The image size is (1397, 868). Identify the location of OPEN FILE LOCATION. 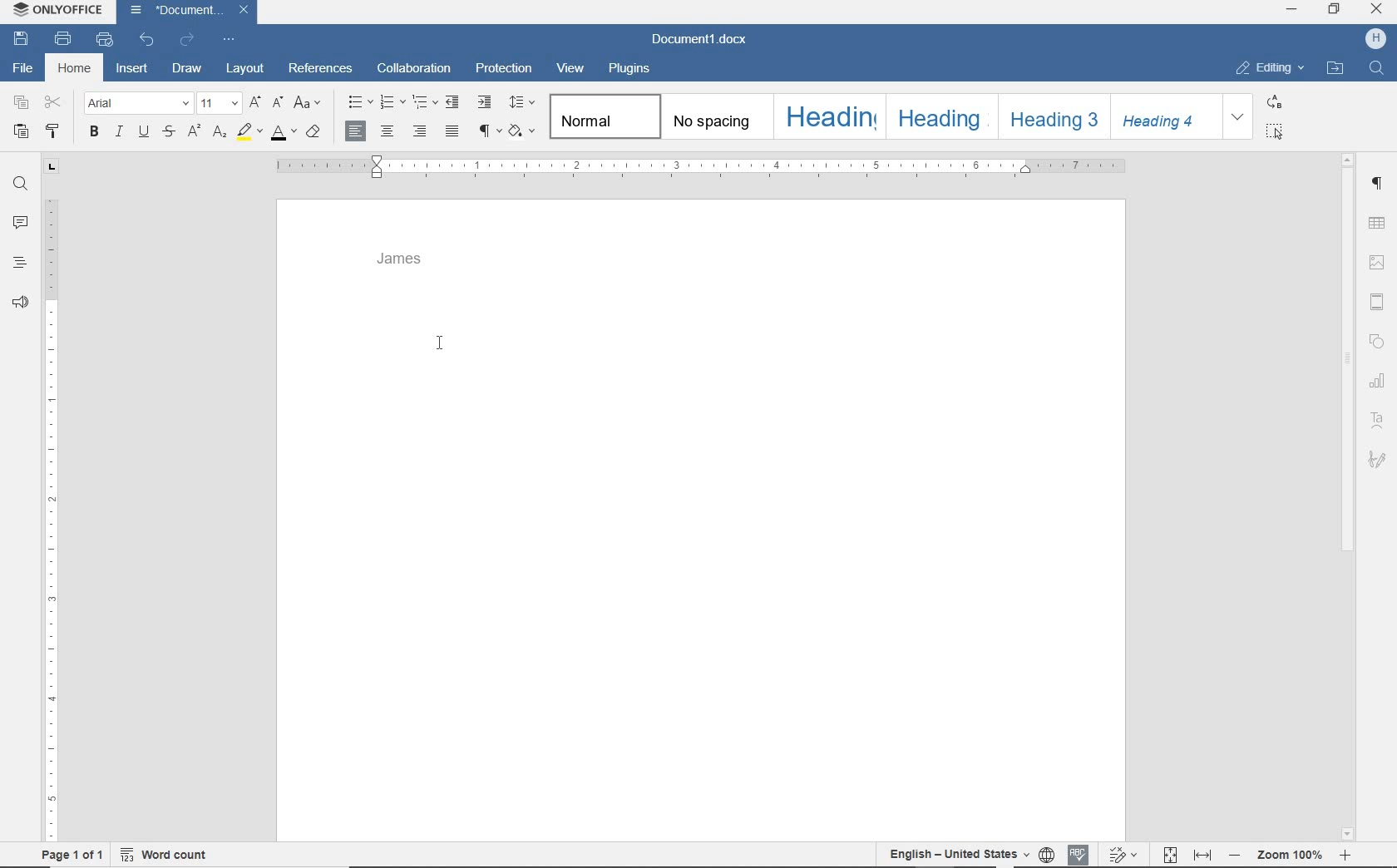
(1335, 68).